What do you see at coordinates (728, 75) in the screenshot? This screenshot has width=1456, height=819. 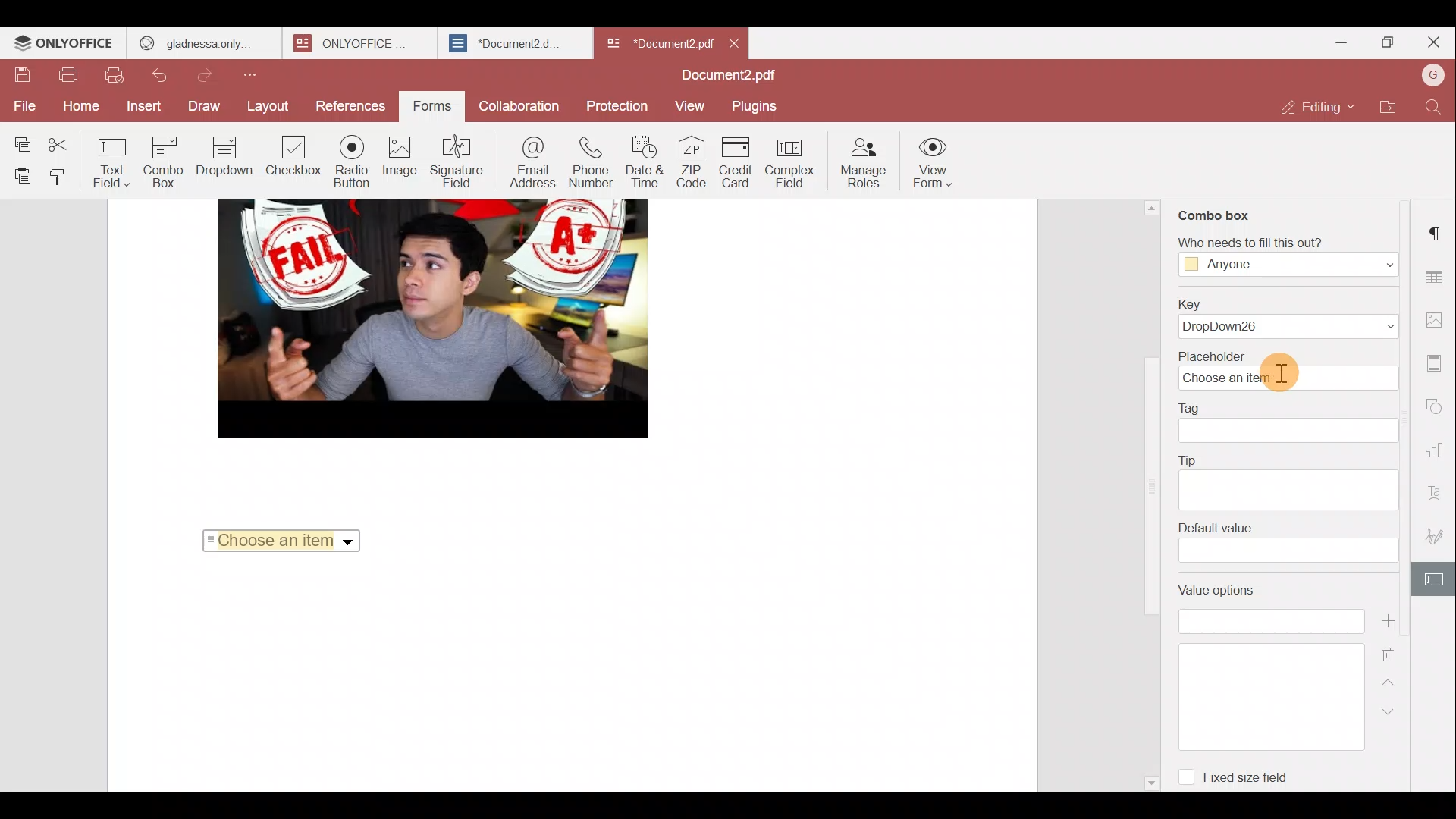 I see `Document2.pdf` at bounding box center [728, 75].